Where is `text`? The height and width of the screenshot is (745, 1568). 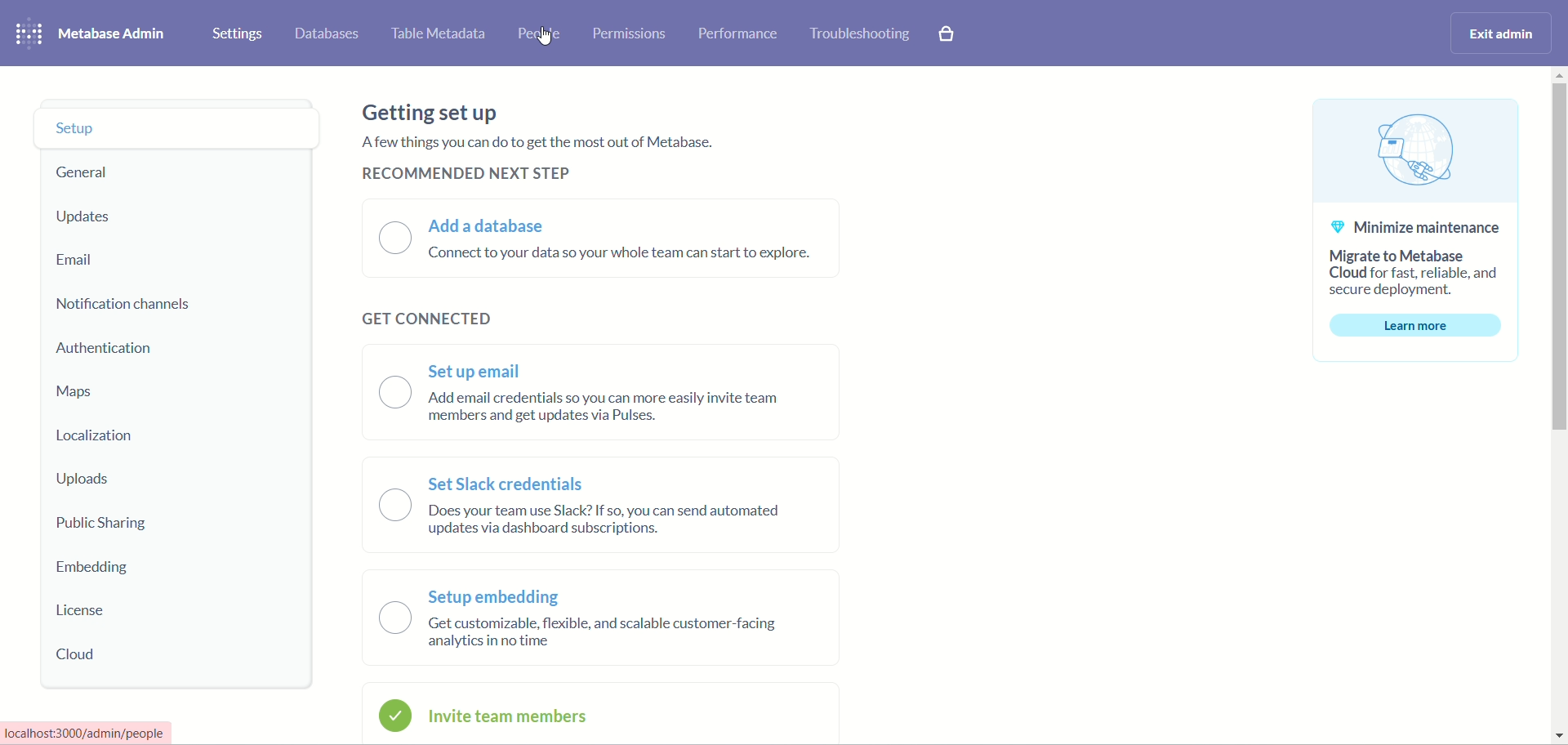 text is located at coordinates (623, 254).